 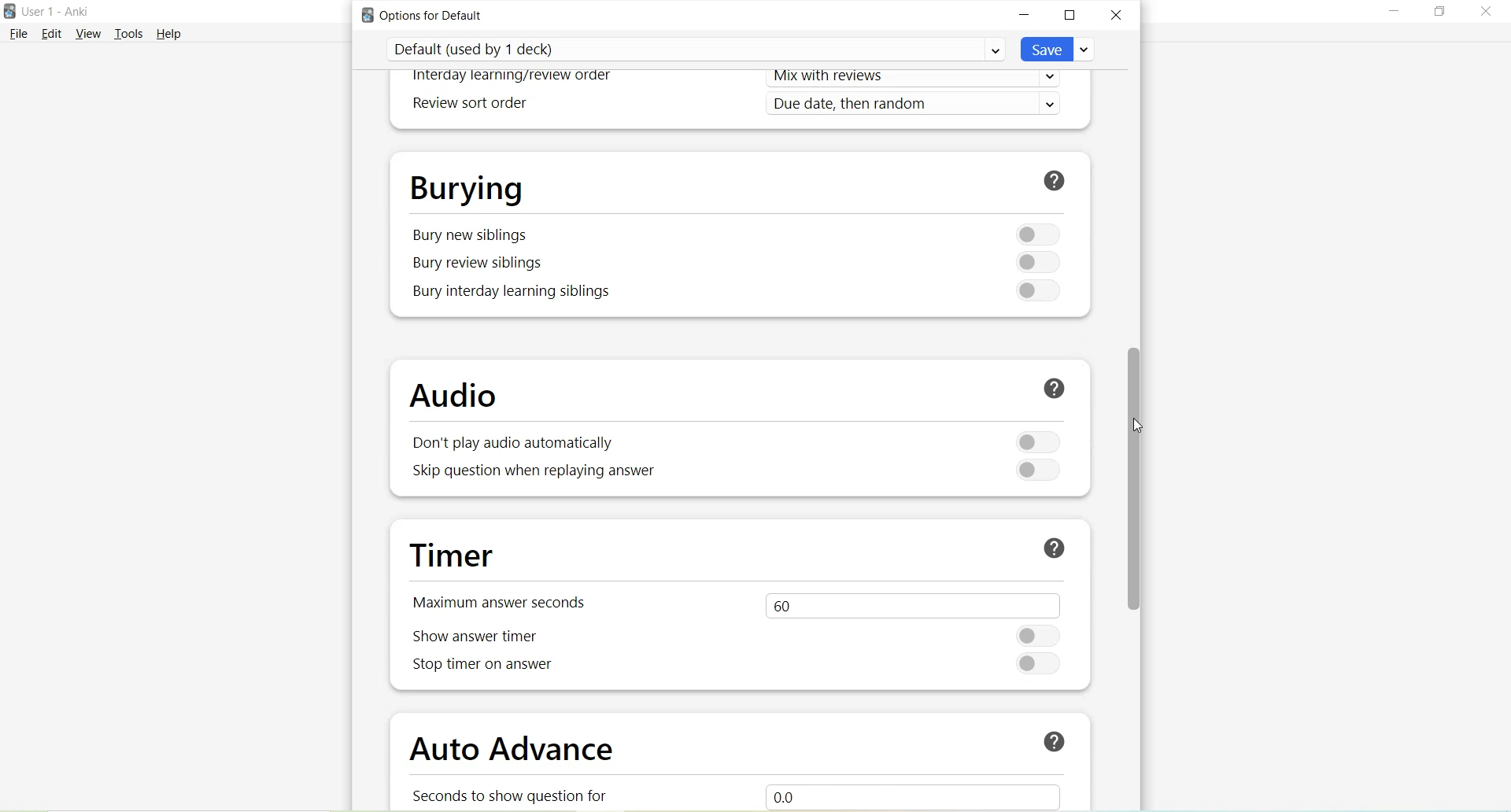 What do you see at coordinates (169, 33) in the screenshot?
I see `Help` at bounding box center [169, 33].